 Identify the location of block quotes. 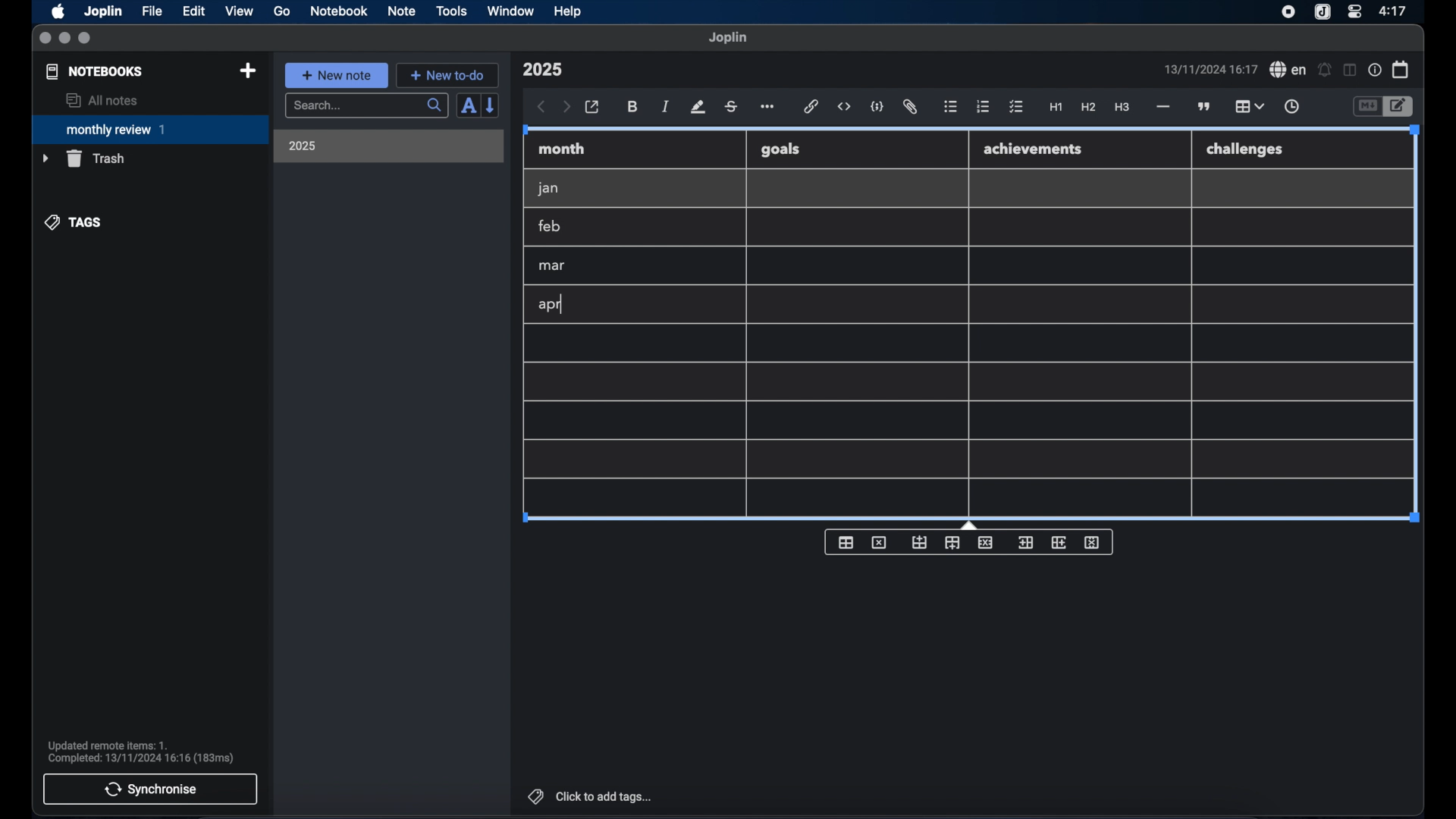
(1205, 107).